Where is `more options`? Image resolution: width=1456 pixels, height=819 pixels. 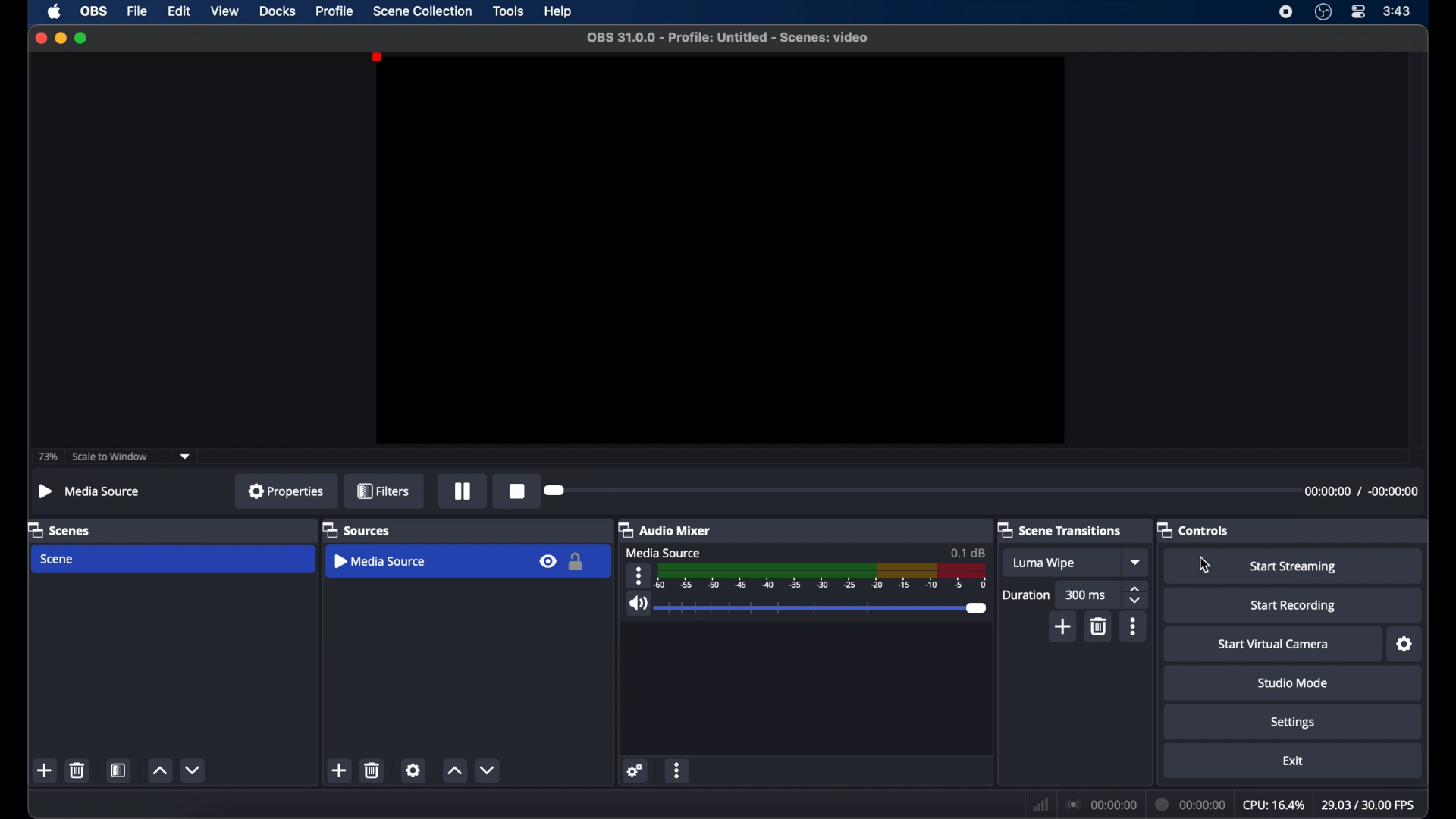
more options is located at coordinates (640, 576).